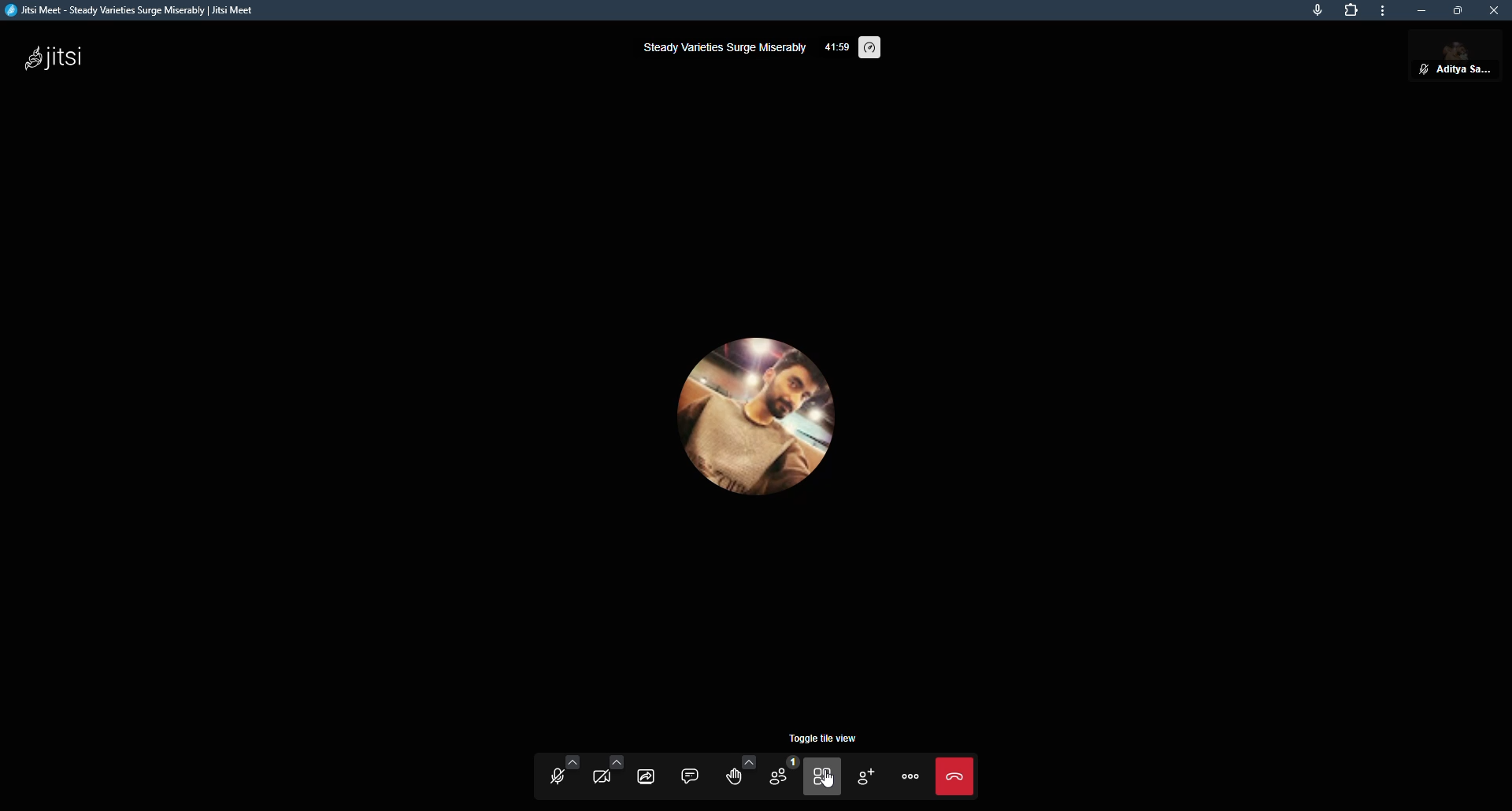 This screenshot has width=1512, height=811. What do you see at coordinates (1466, 63) in the screenshot?
I see `profile` at bounding box center [1466, 63].